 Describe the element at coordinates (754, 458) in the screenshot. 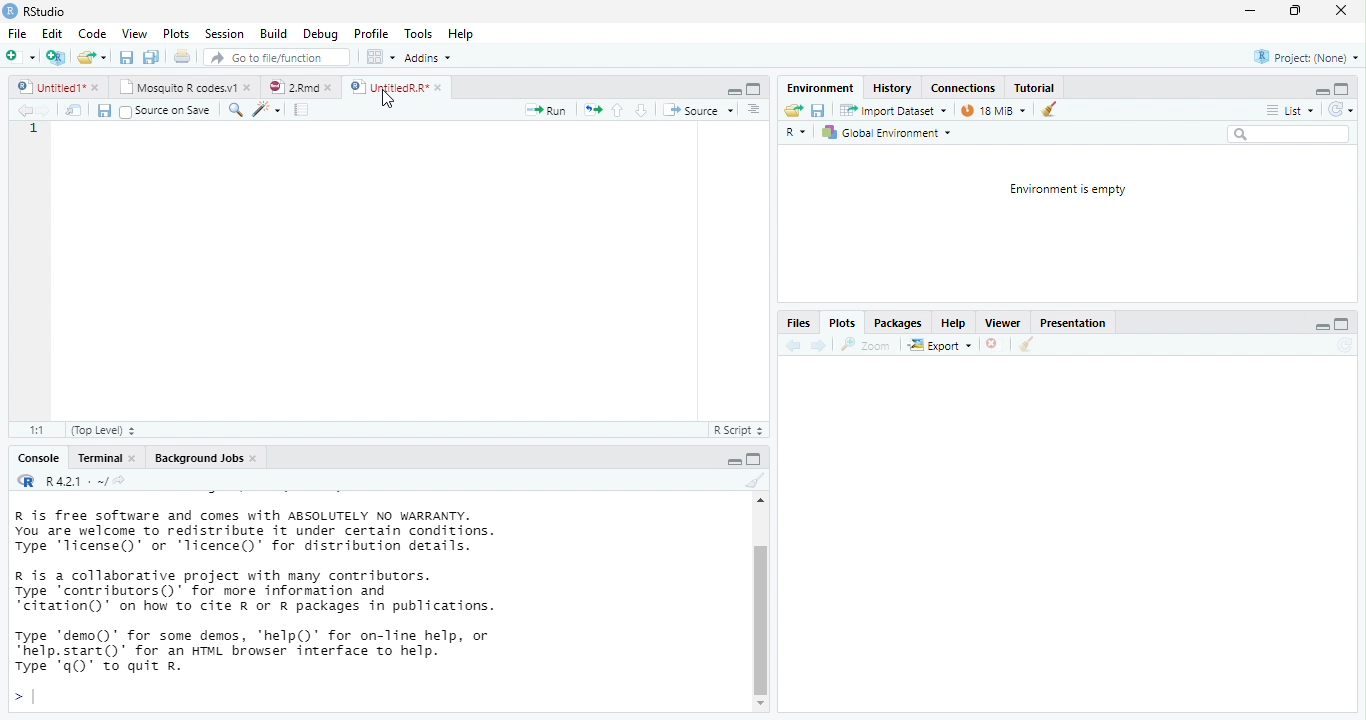

I see `minimize` at that location.